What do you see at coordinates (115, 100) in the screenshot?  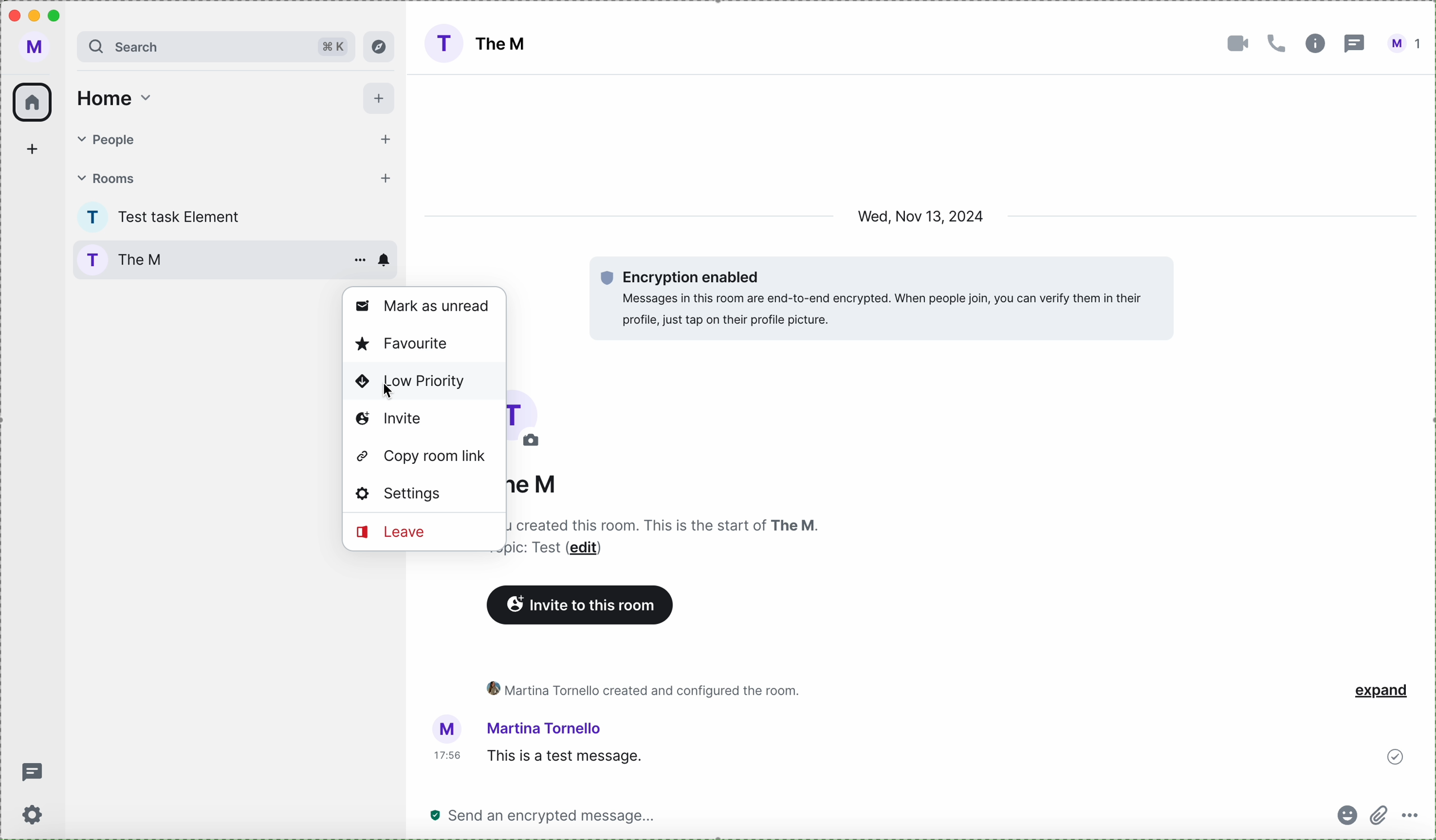 I see `home` at bounding box center [115, 100].